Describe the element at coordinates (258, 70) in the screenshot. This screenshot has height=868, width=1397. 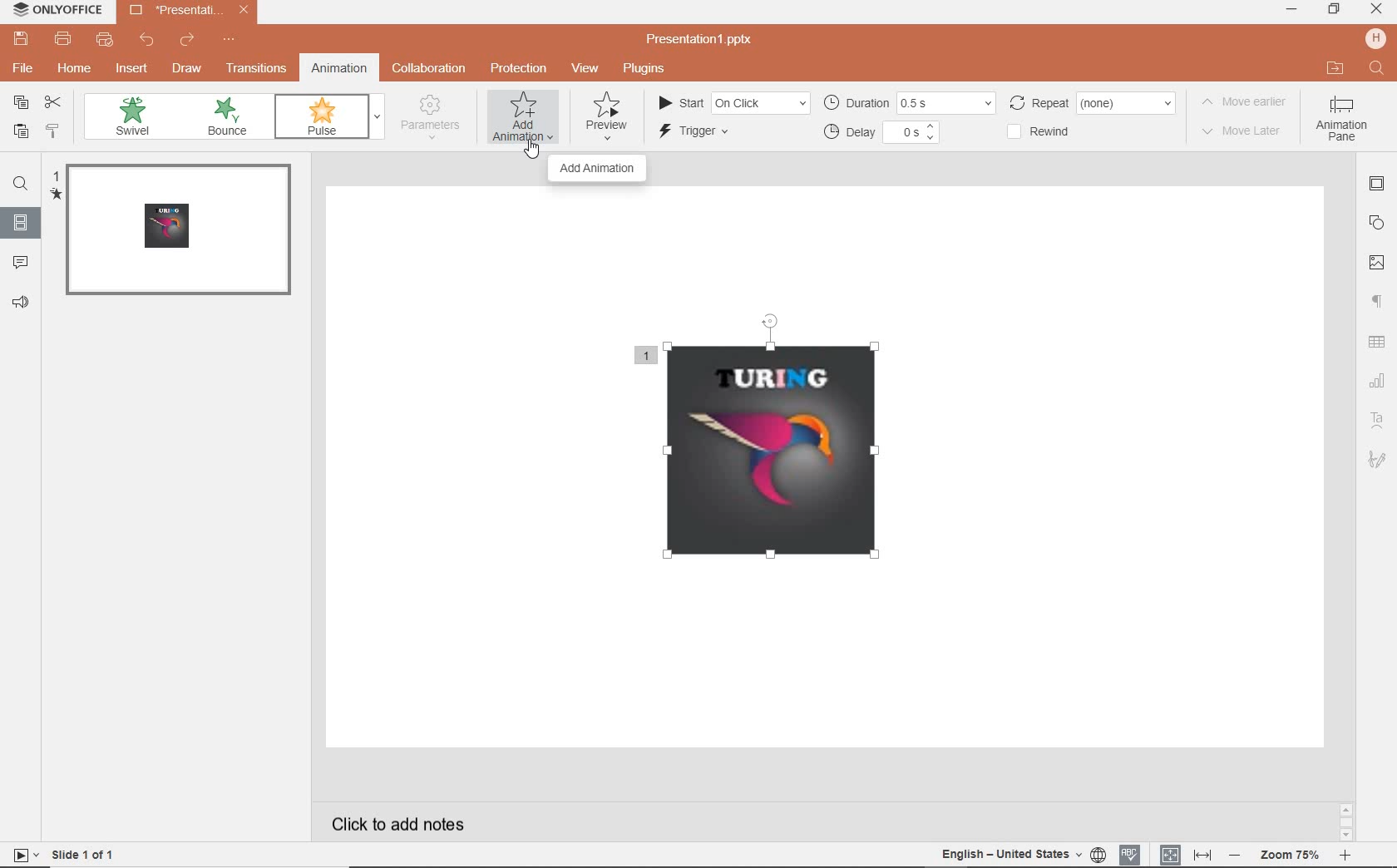
I see `transitions` at that location.